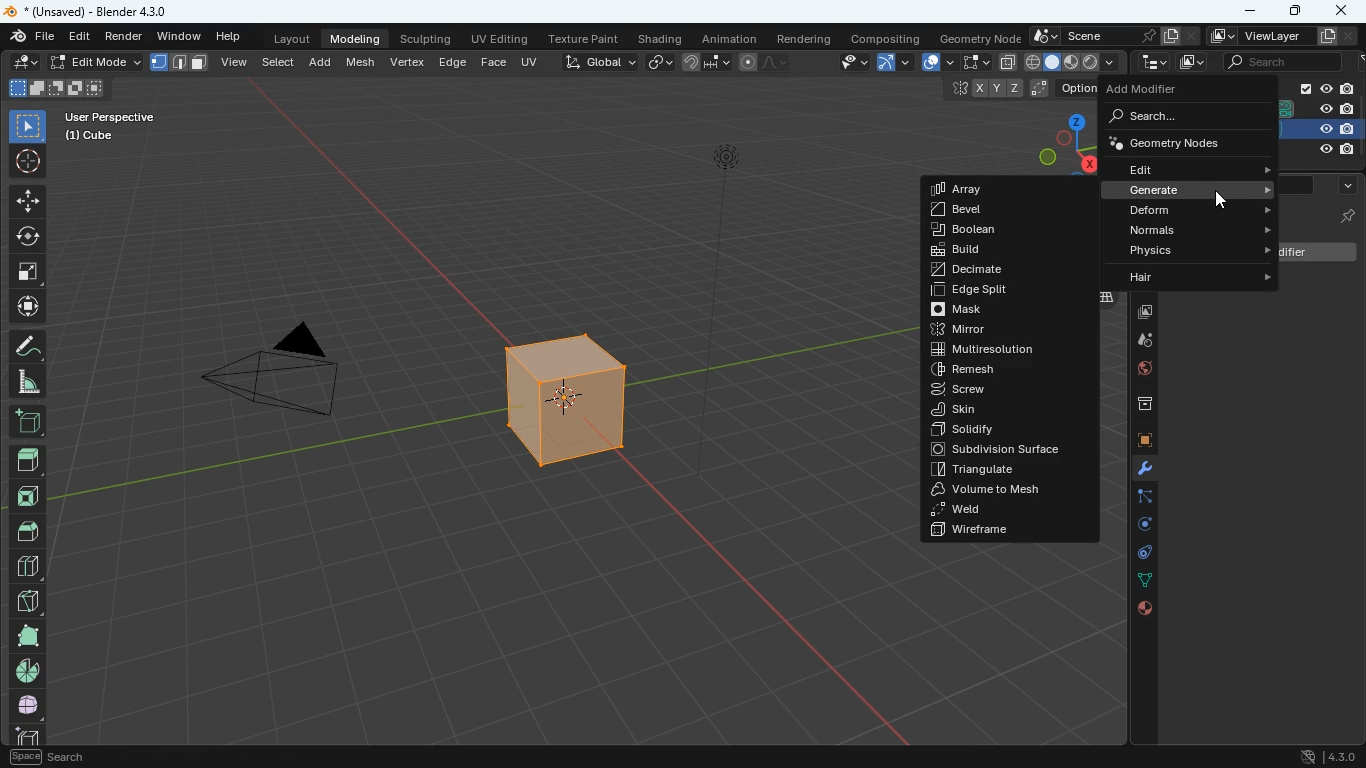 This screenshot has width=1366, height=768. Describe the element at coordinates (26, 383) in the screenshot. I see `angle` at that location.